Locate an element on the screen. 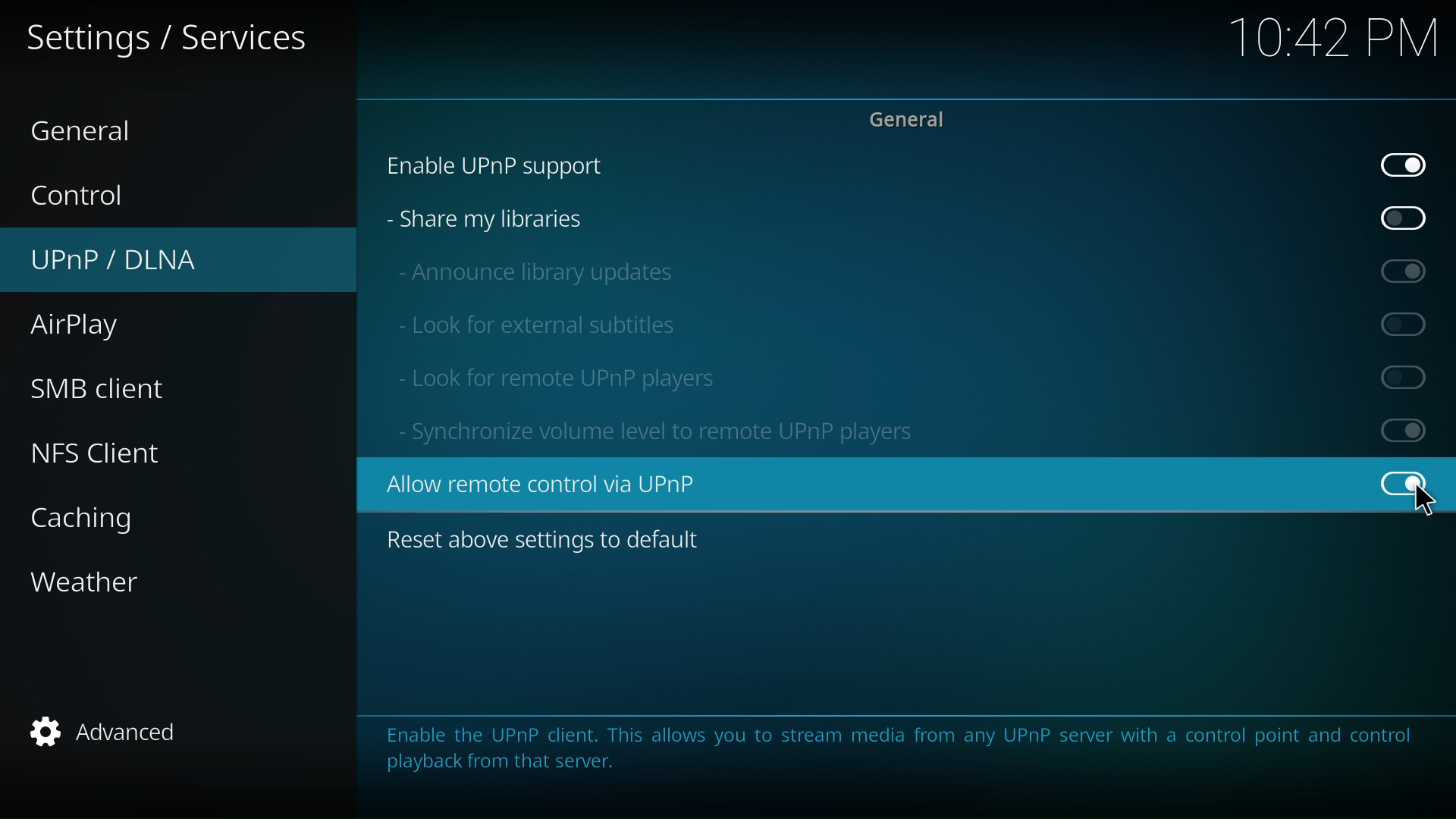 The width and height of the screenshot is (1456, 819). Synchronize volume level to remote UPnP players  is located at coordinates (911, 432).